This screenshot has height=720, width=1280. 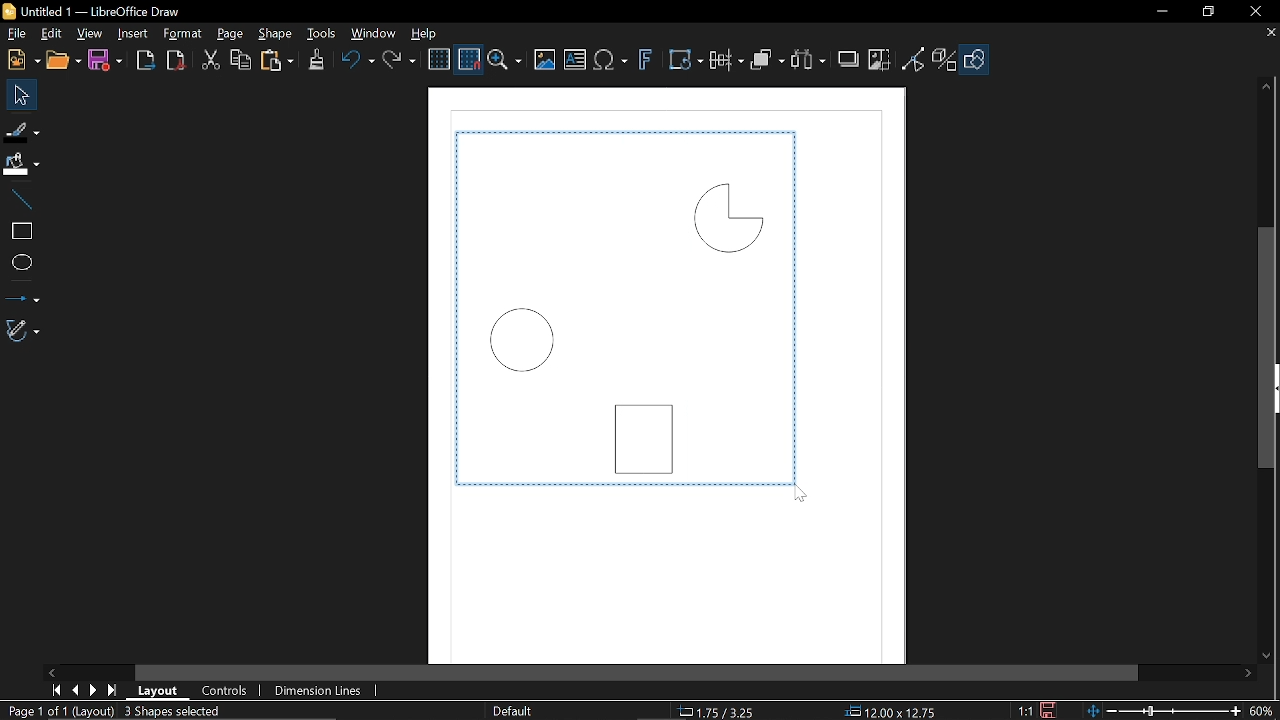 What do you see at coordinates (225, 690) in the screenshot?
I see `Controls` at bounding box center [225, 690].